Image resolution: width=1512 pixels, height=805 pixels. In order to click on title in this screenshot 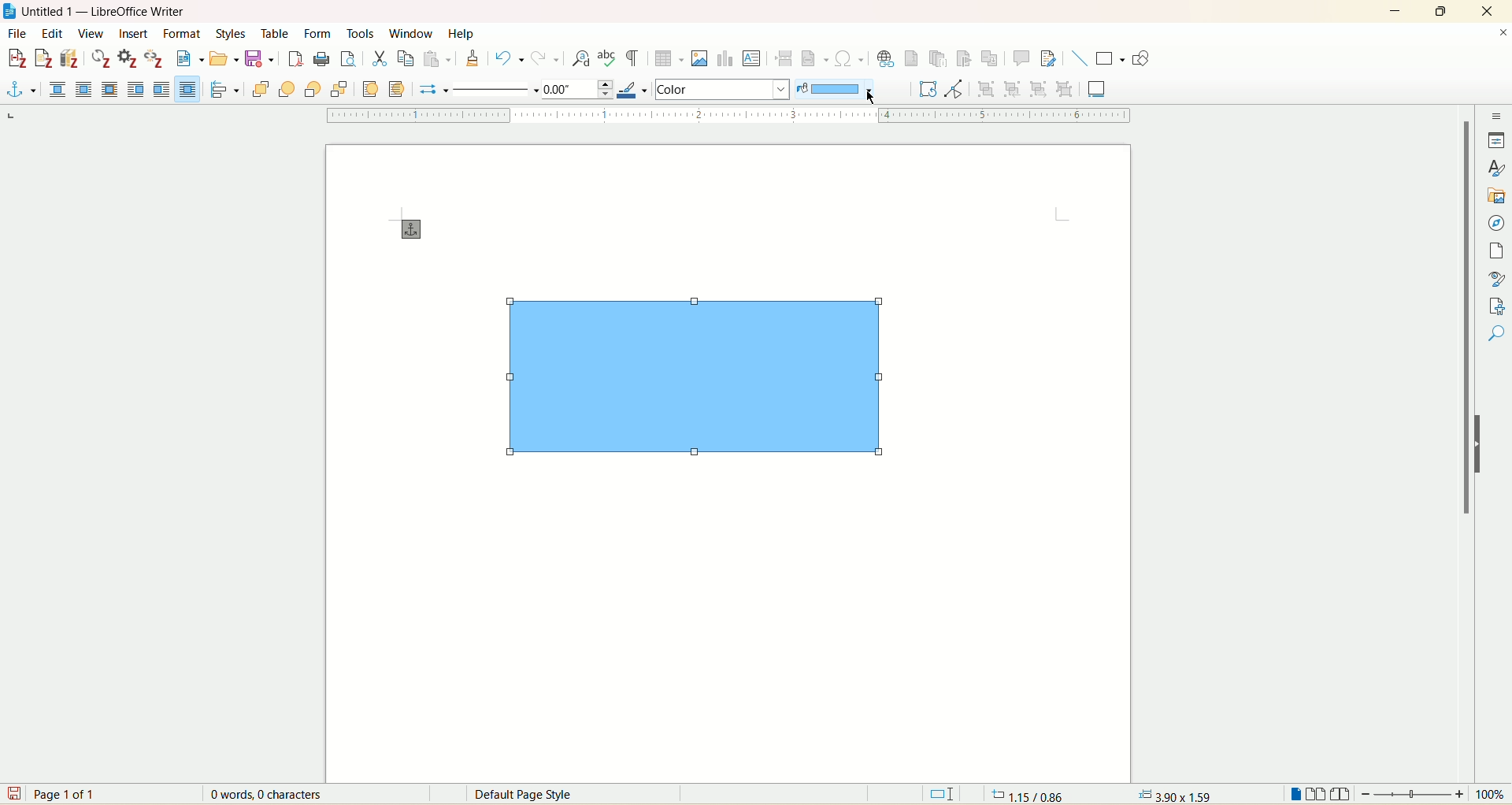, I will do `click(106, 12)`.